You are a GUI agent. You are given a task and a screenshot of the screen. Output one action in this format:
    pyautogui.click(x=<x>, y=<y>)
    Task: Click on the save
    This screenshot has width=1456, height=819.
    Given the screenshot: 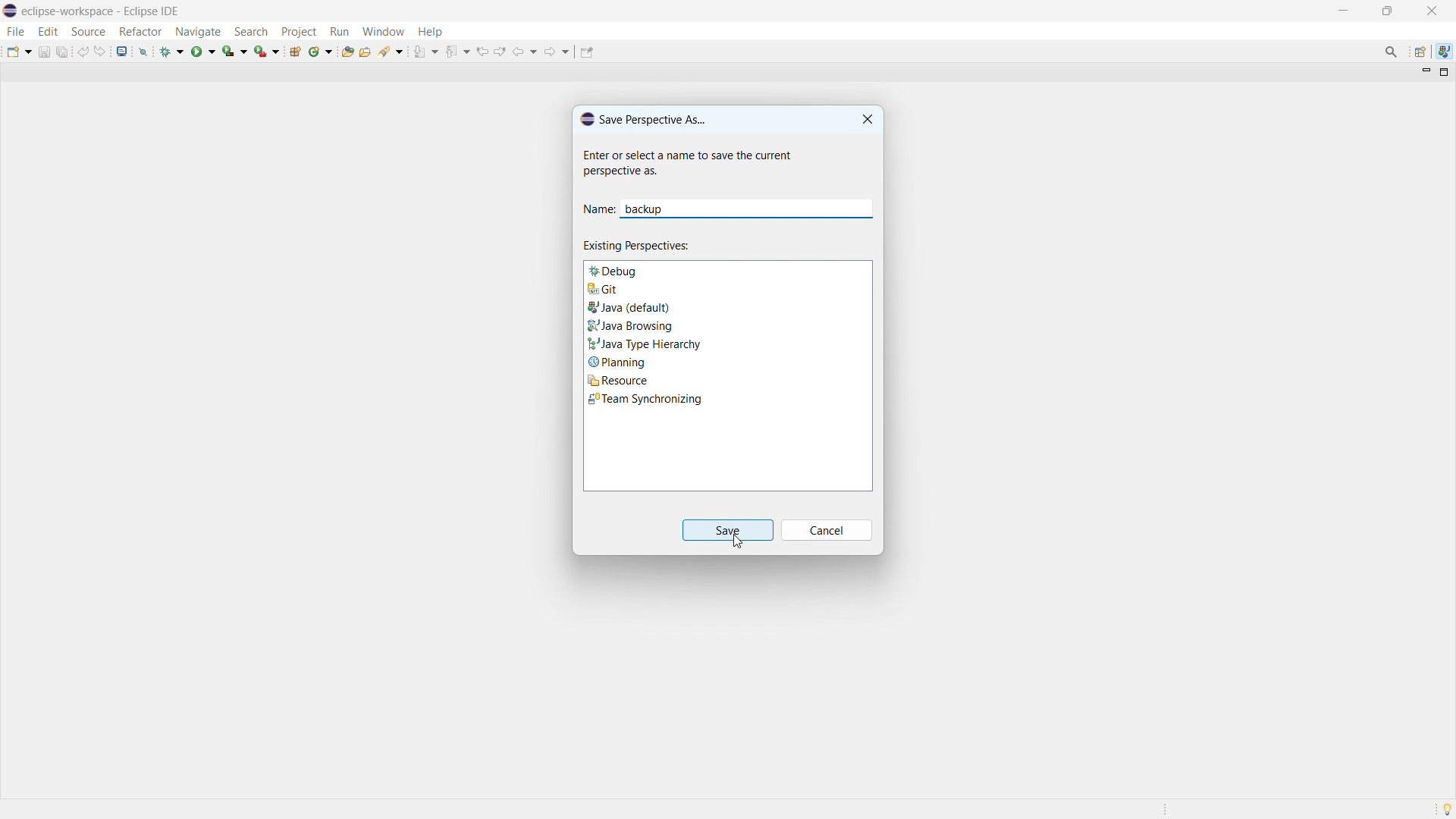 What is the action you would take?
    pyautogui.click(x=44, y=52)
    